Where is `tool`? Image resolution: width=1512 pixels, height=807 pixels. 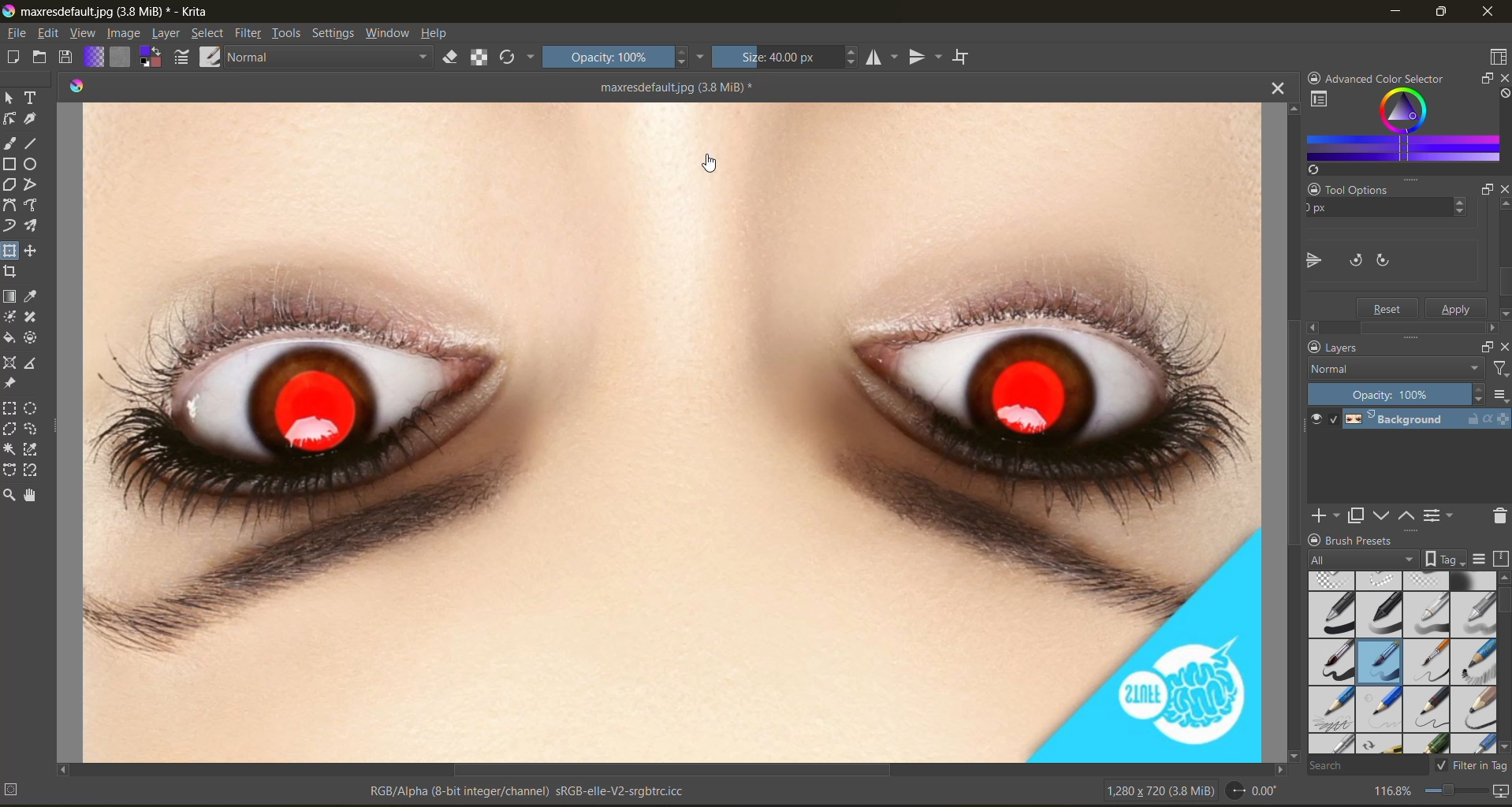 tool is located at coordinates (11, 494).